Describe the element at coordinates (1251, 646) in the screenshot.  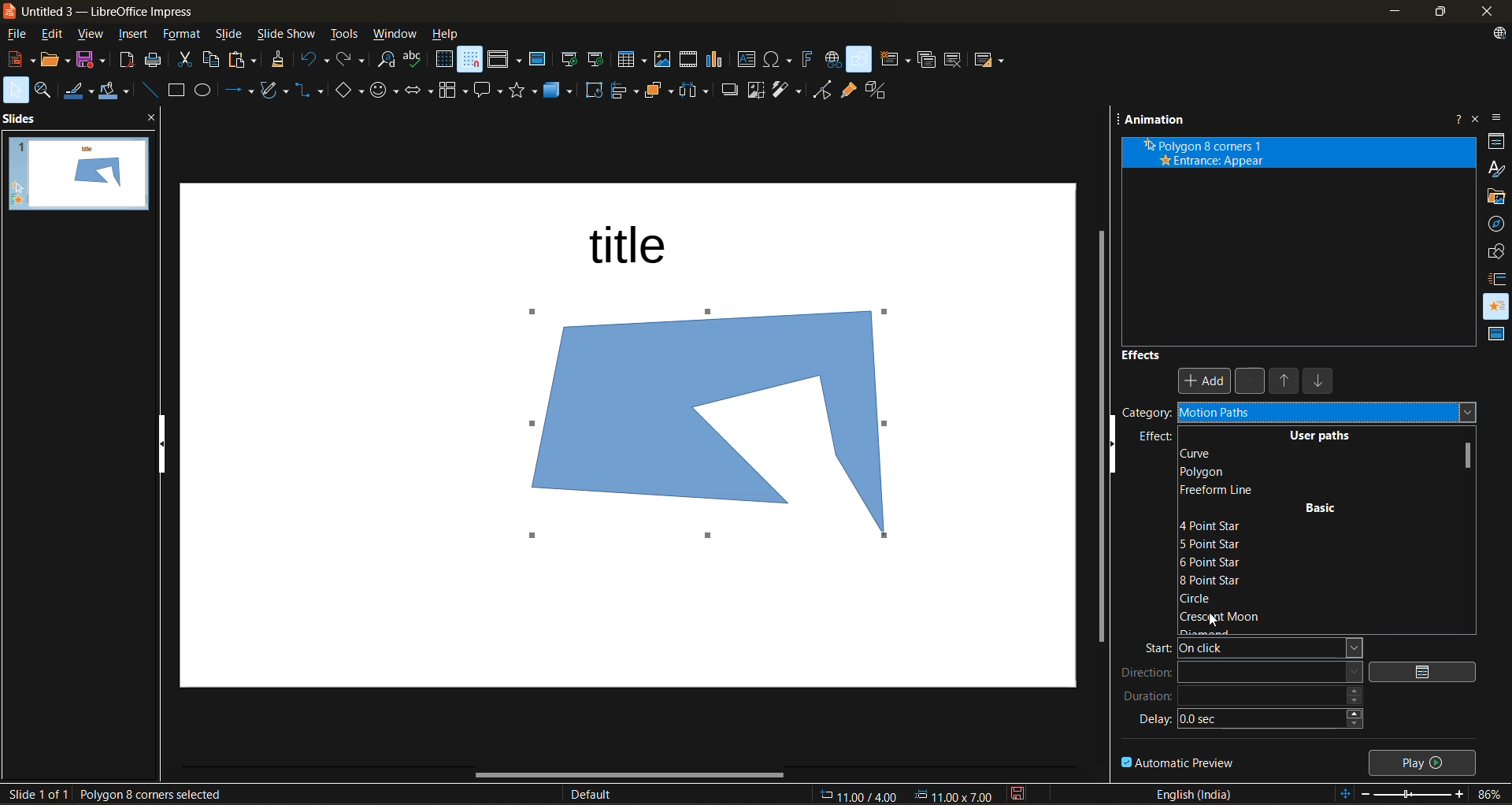
I see `start` at that location.